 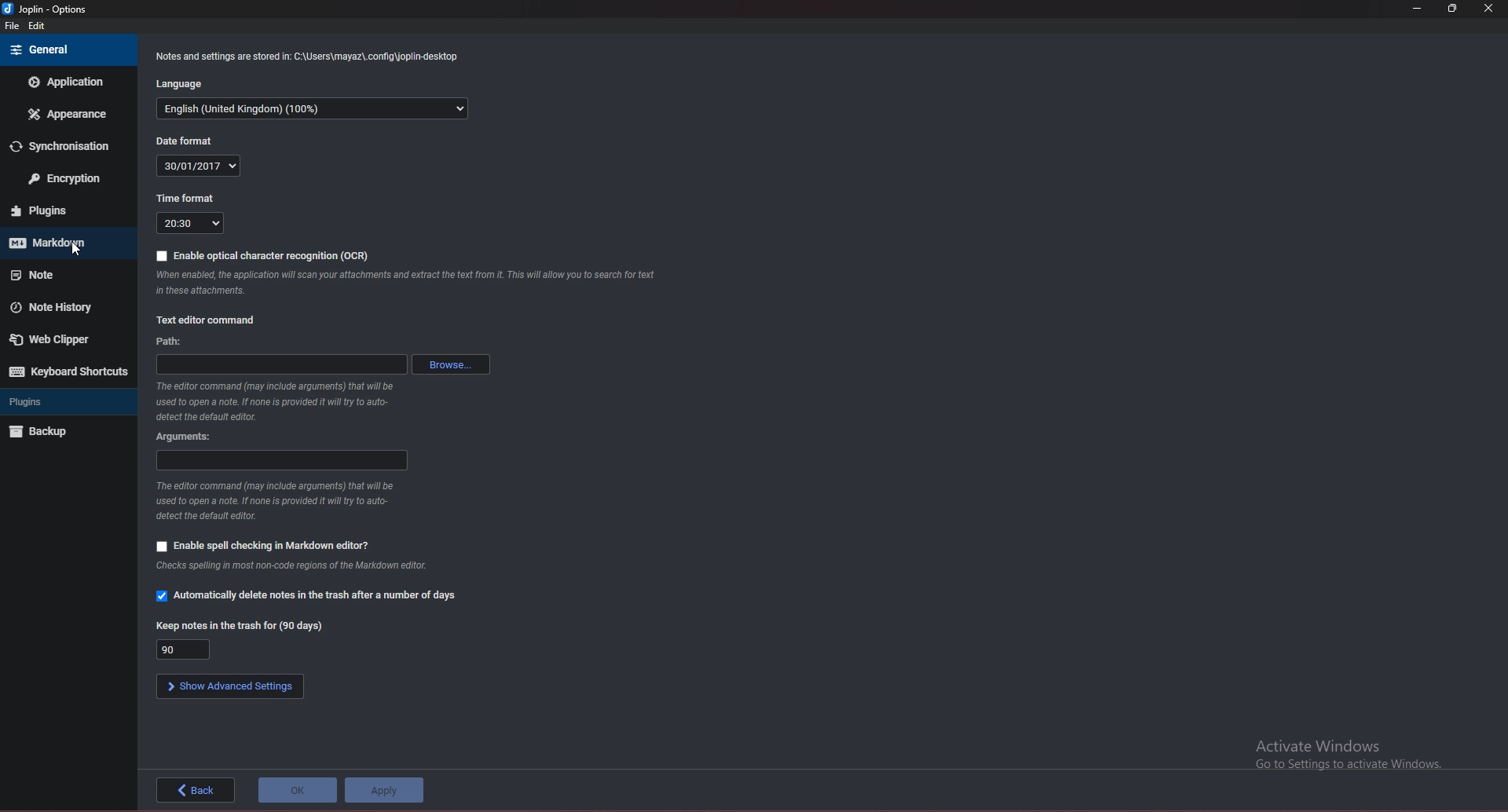 What do you see at coordinates (384, 790) in the screenshot?
I see `apply` at bounding box center [384, 790].